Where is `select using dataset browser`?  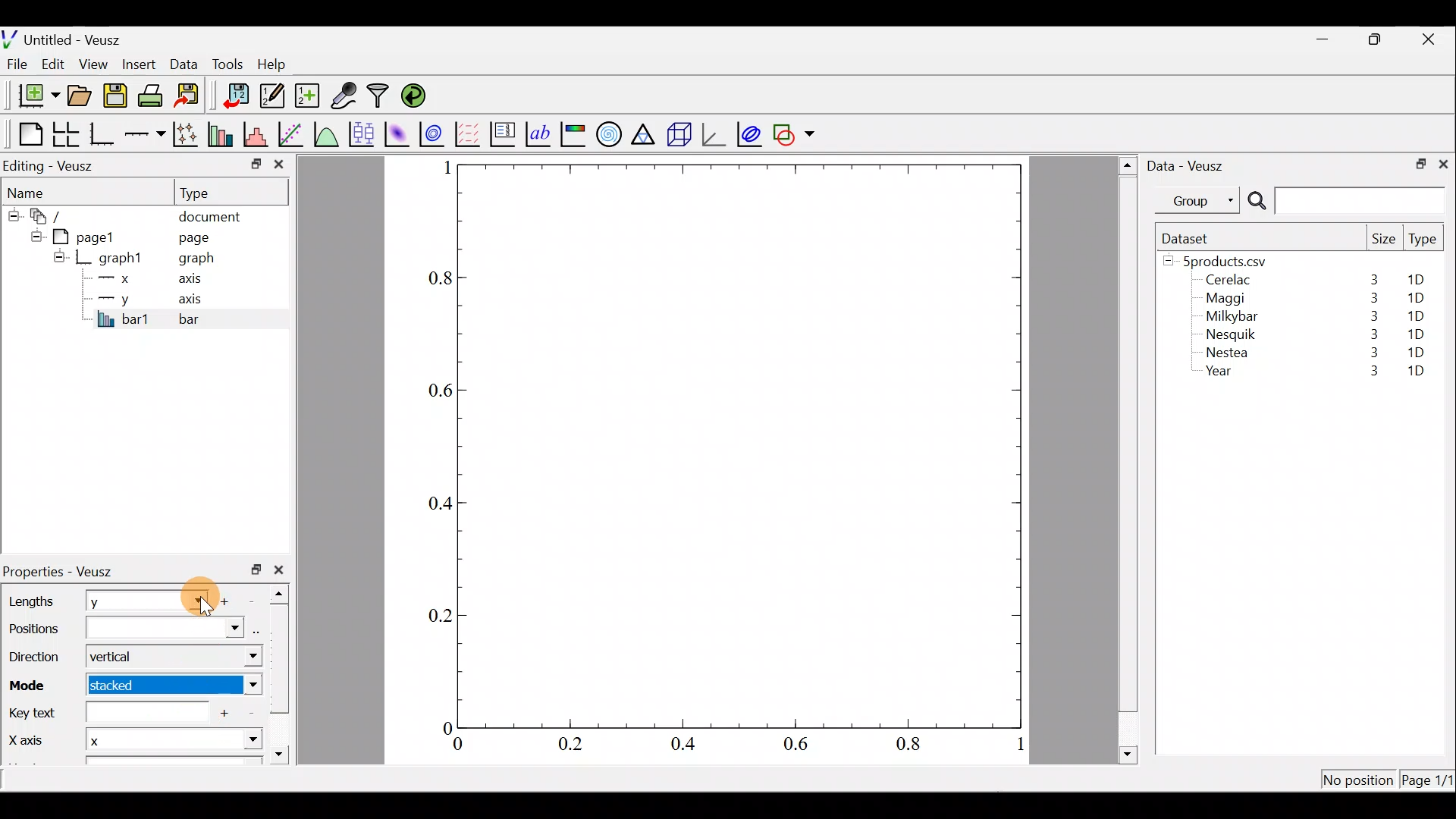 select using dataset browser is located at coordinates (259, 629).